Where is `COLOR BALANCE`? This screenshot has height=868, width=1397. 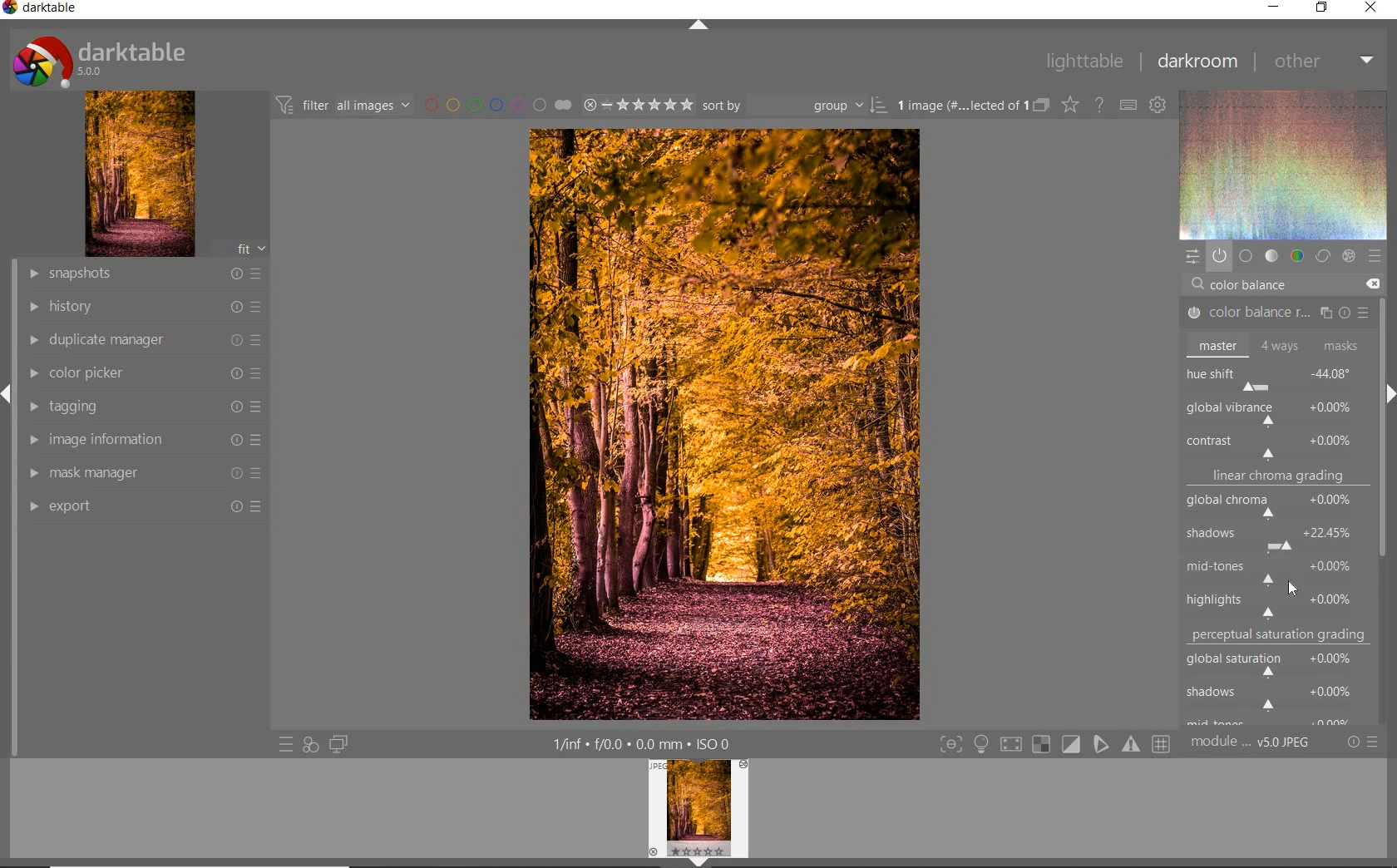 COLOR BALANCE is located at coordinates (1253, 285).